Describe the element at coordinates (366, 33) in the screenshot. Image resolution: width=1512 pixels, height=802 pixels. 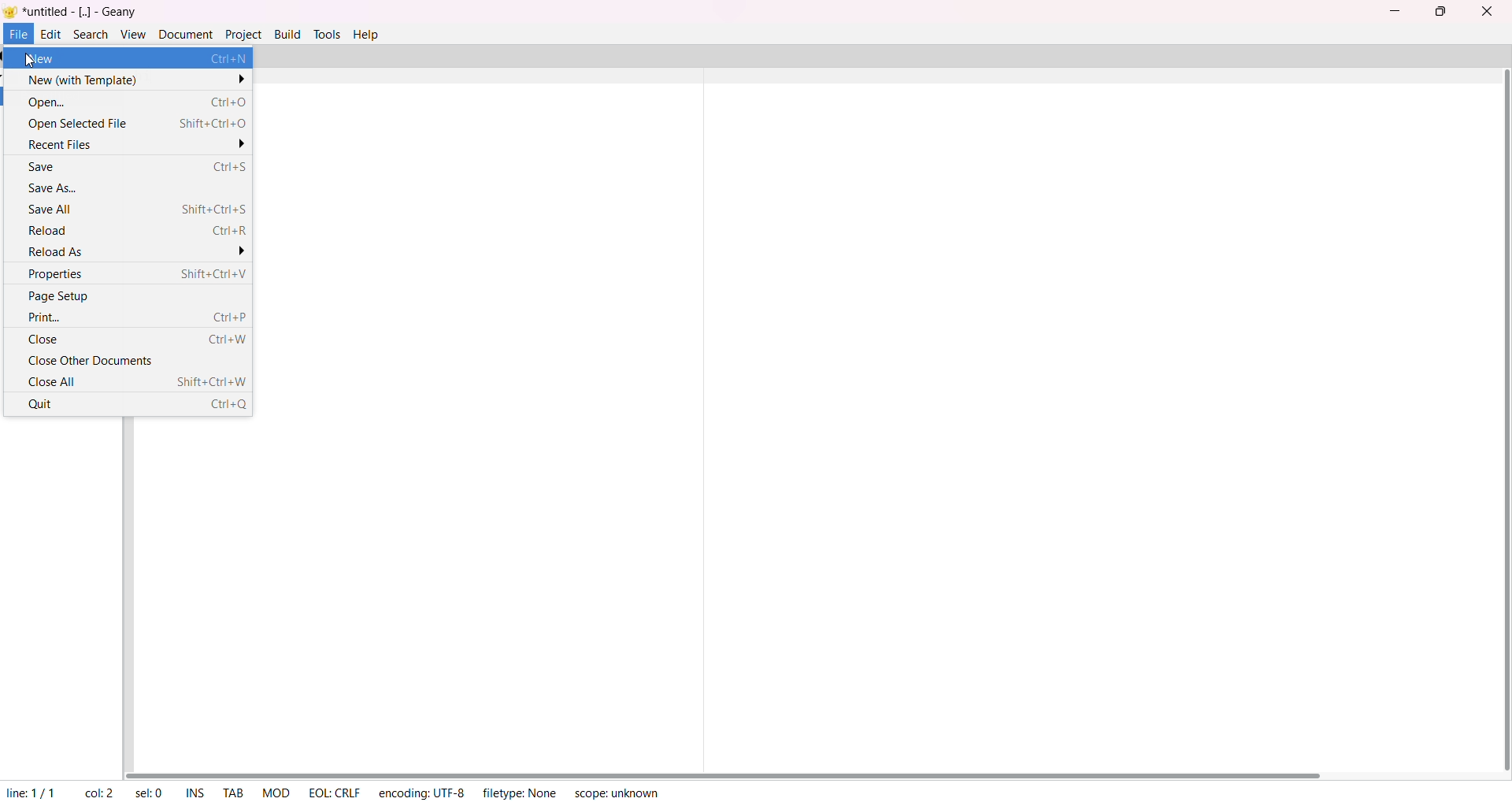
I see `help` at that location.